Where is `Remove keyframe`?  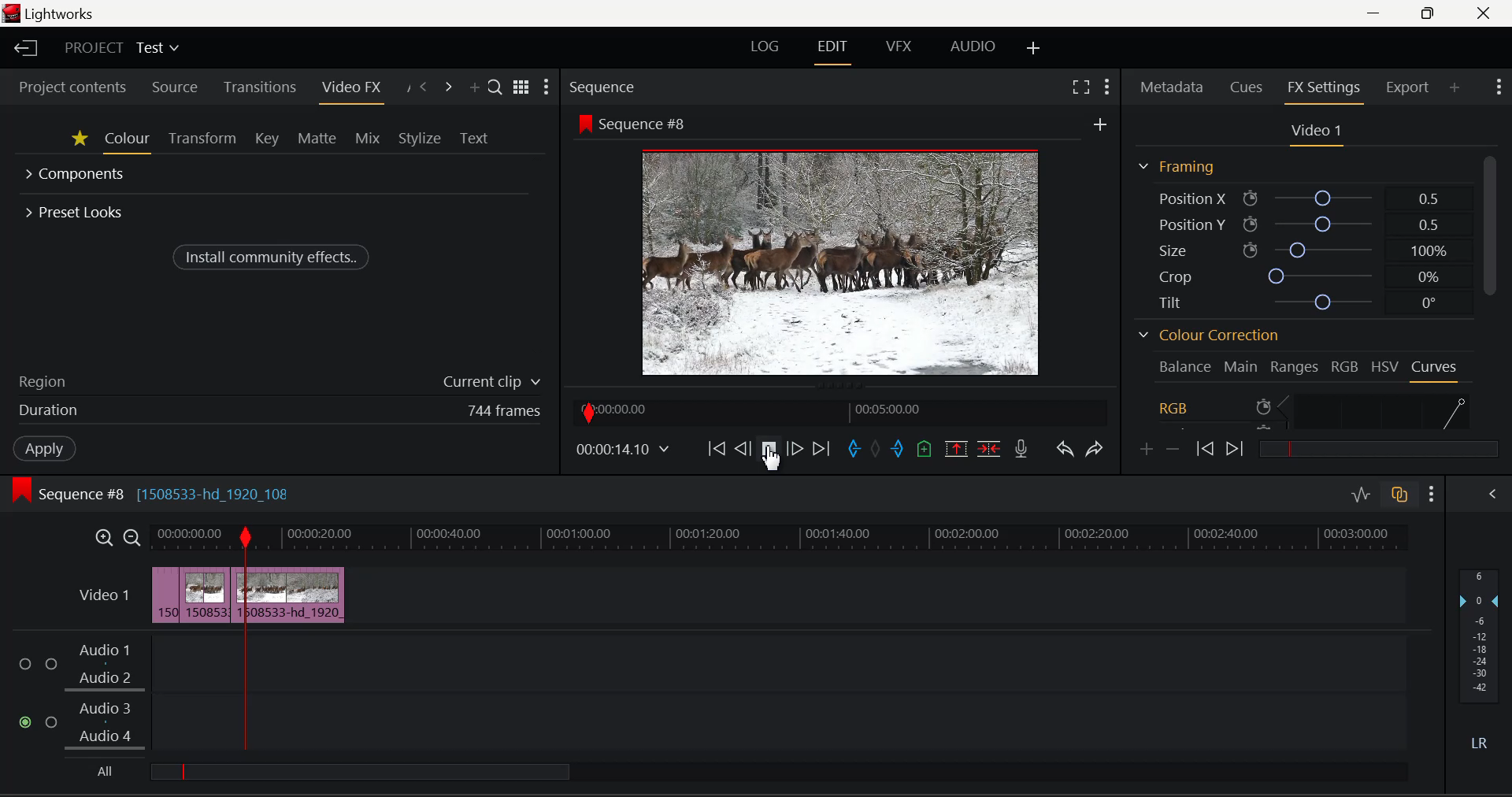
Remove keyframe is located at coordinates (1173, 450).